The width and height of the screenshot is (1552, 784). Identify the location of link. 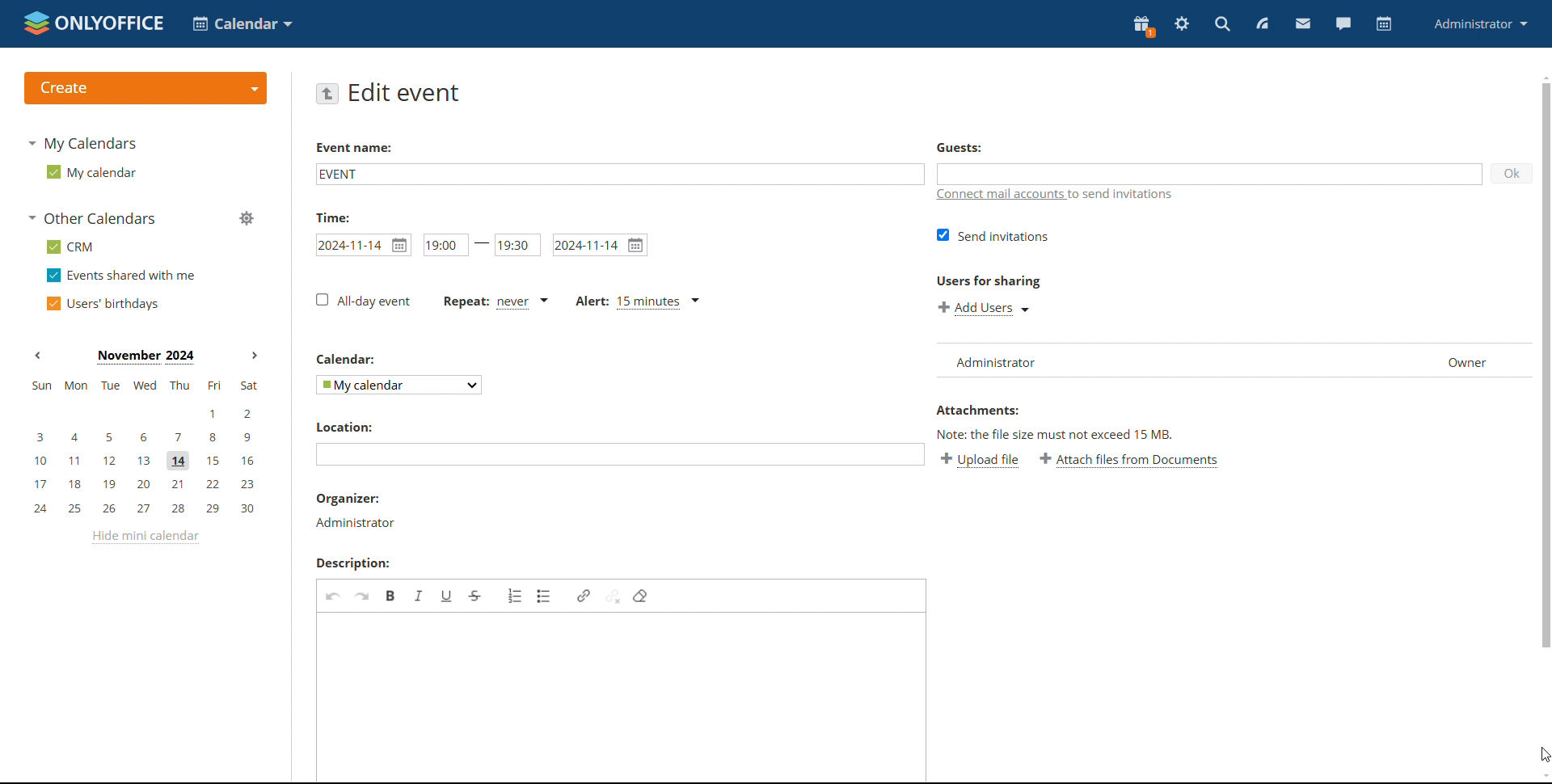
(583, 596).